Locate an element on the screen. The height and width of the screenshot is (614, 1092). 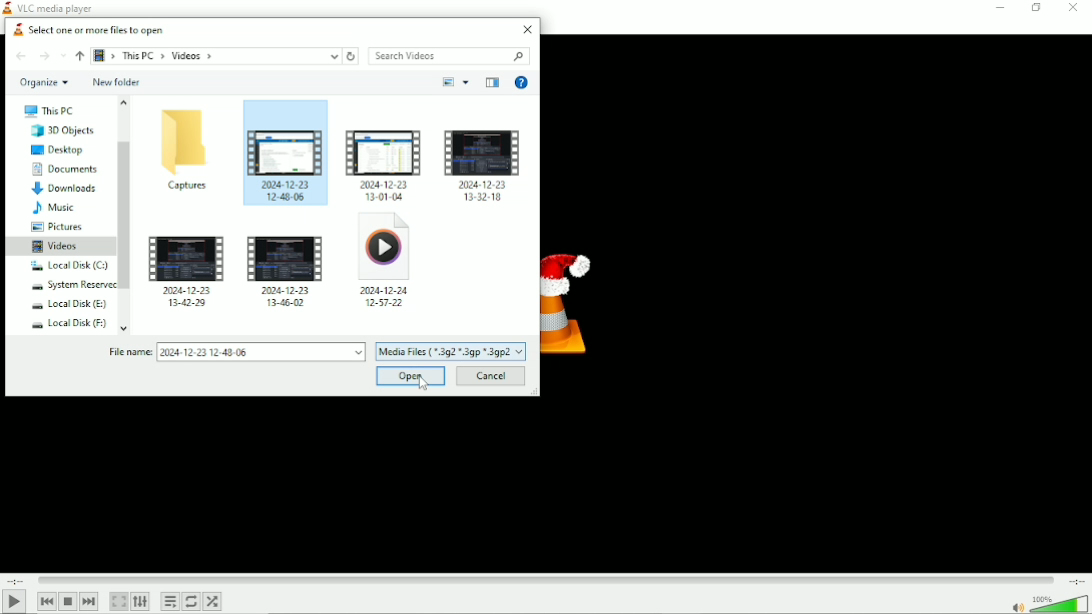
Vertical scrollbar is located at coordinates (126, 213).